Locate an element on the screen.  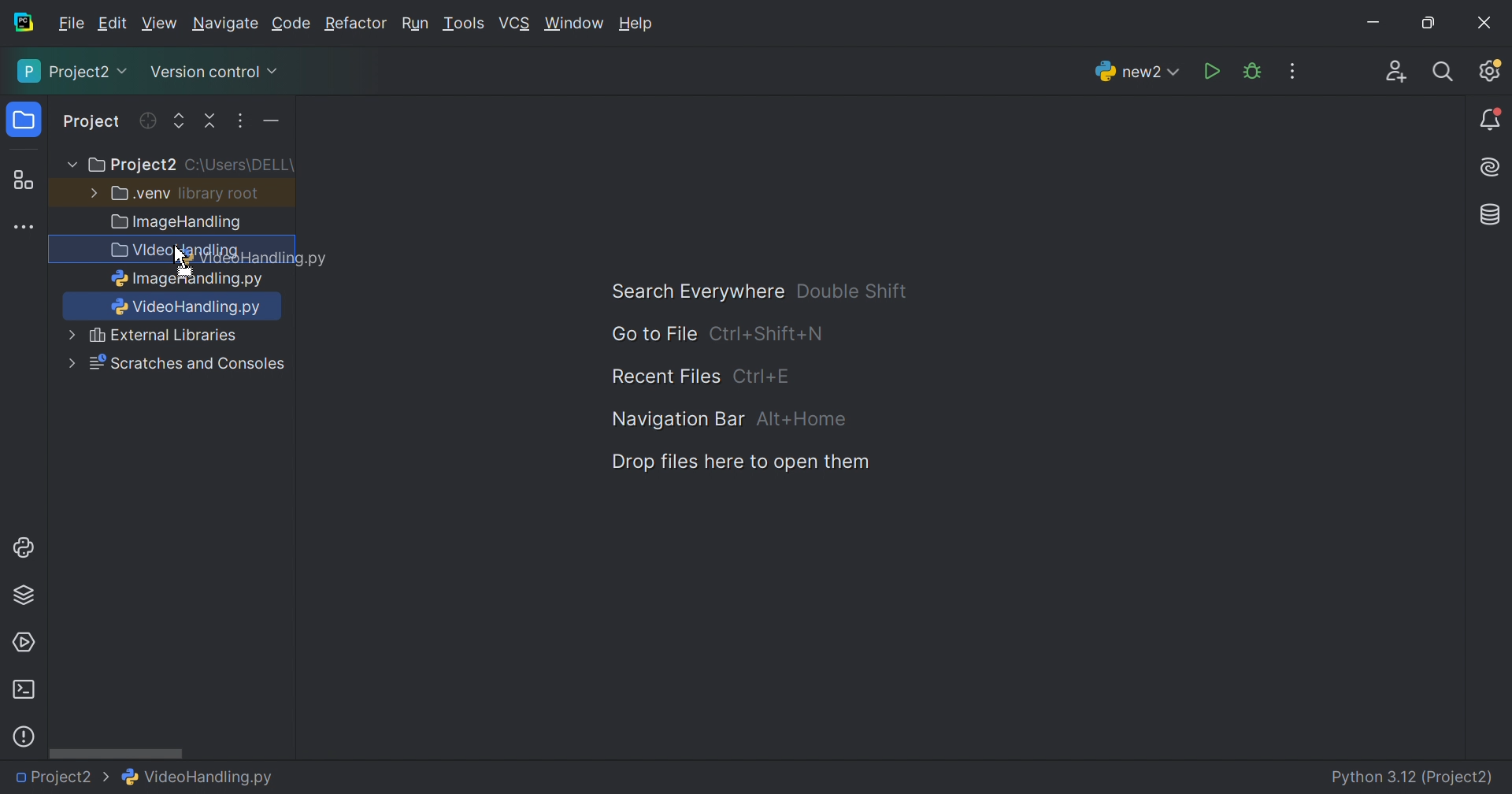
Debug is located at coordinates (1252, 72).